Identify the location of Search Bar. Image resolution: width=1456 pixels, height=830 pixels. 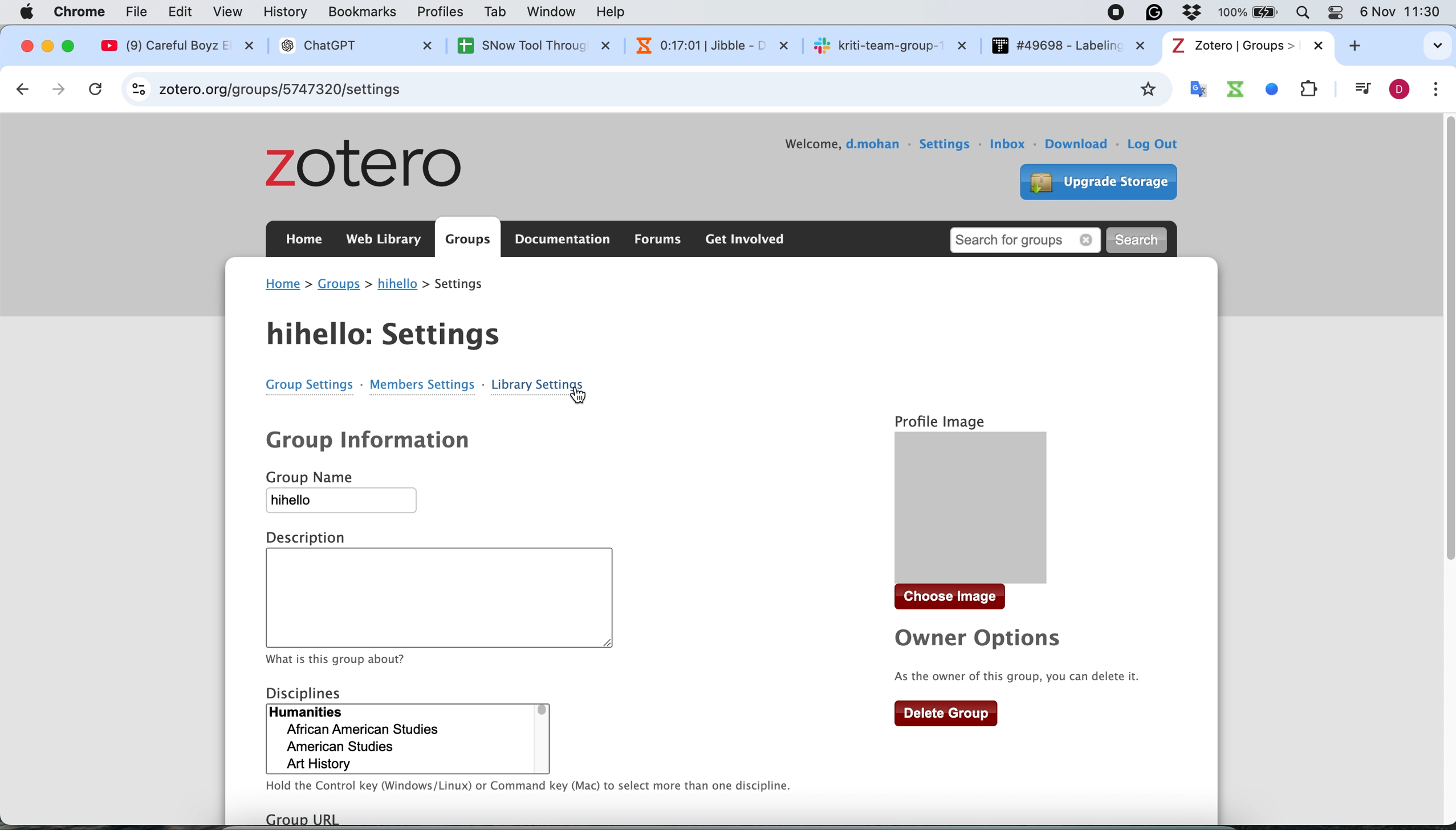
(1300, 11).